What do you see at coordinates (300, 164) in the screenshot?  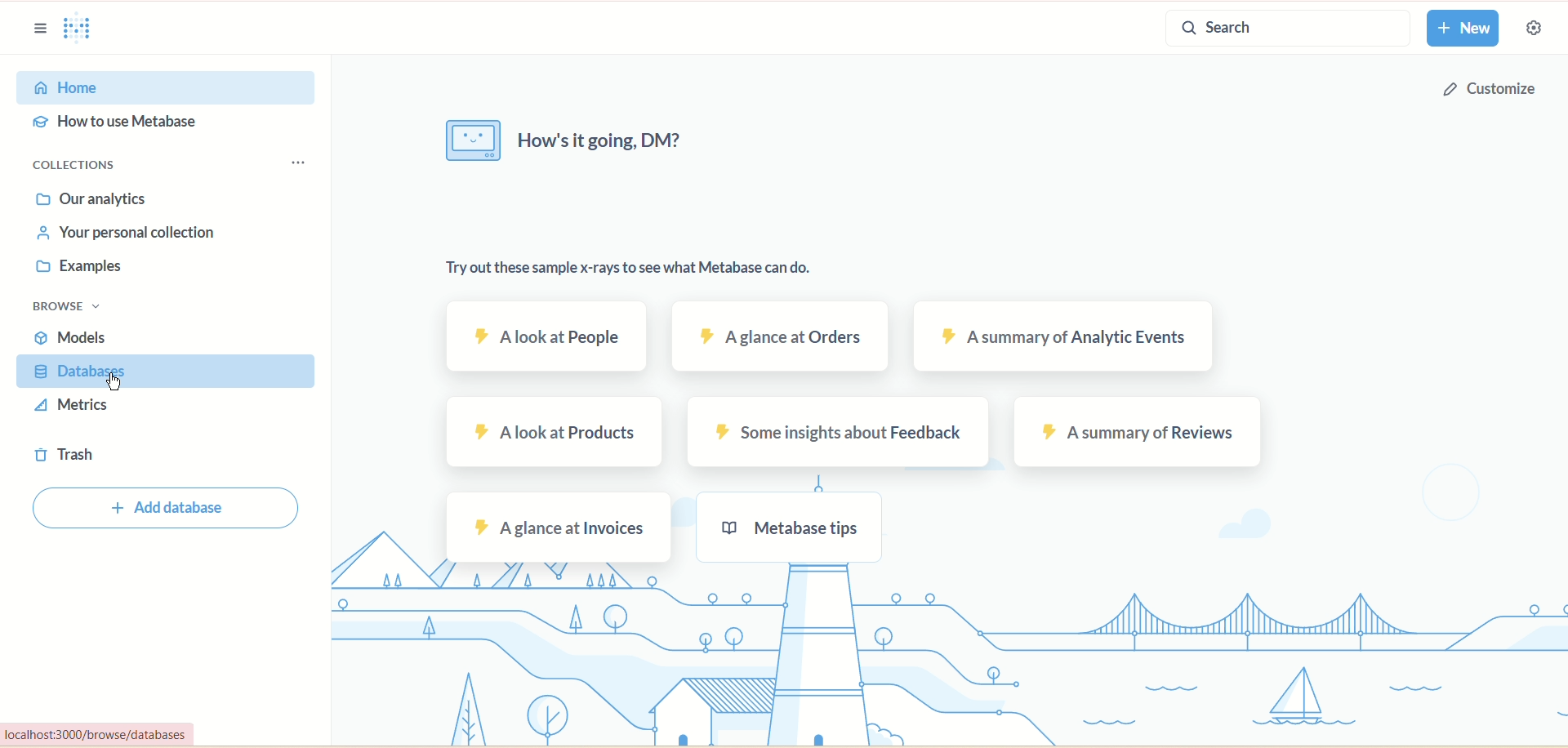 I see `options` at bounding box center [300, 164].